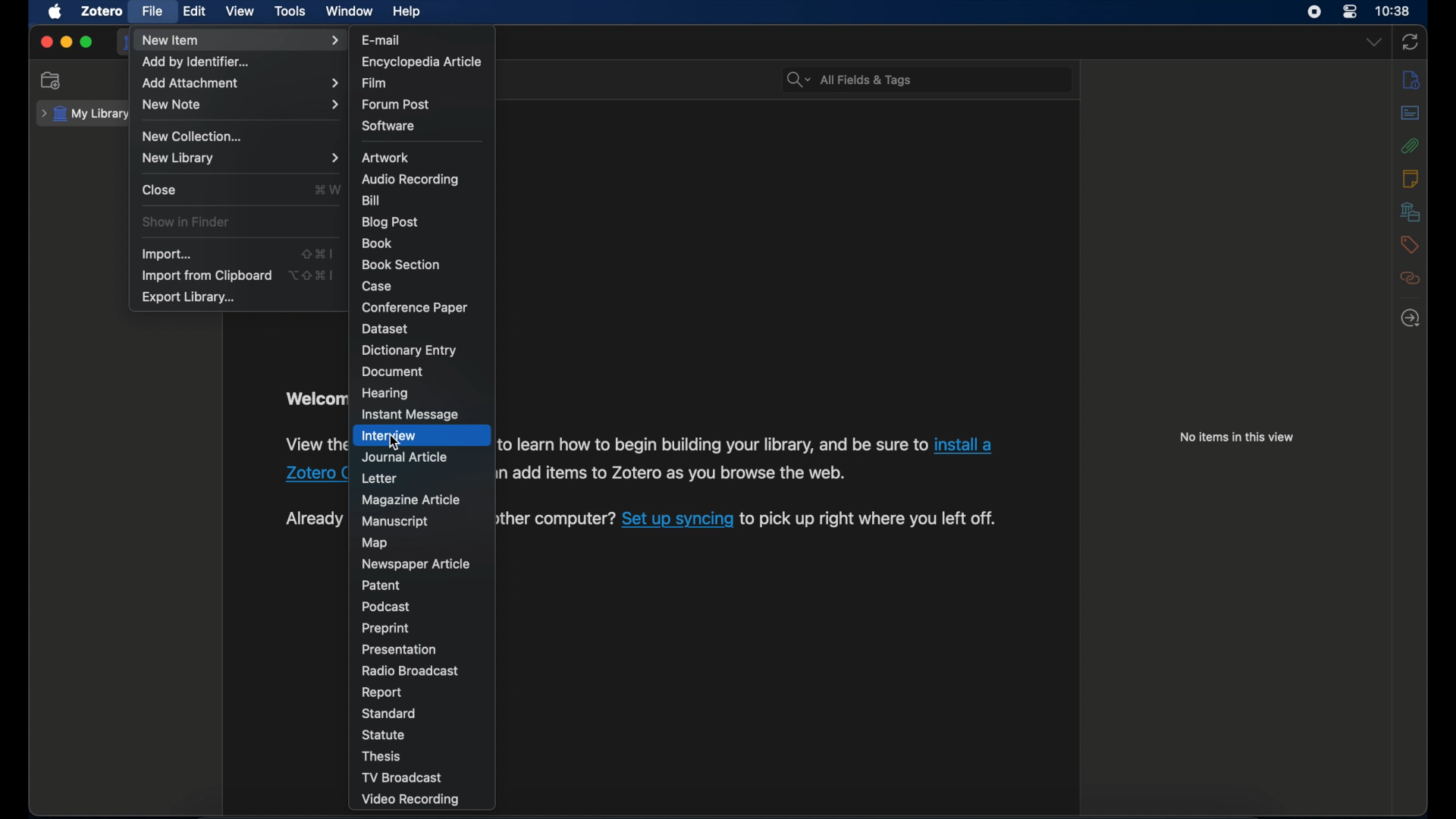  Describe the element at coordinates (1394, 11) in the screenshot. I see `time` at that location.